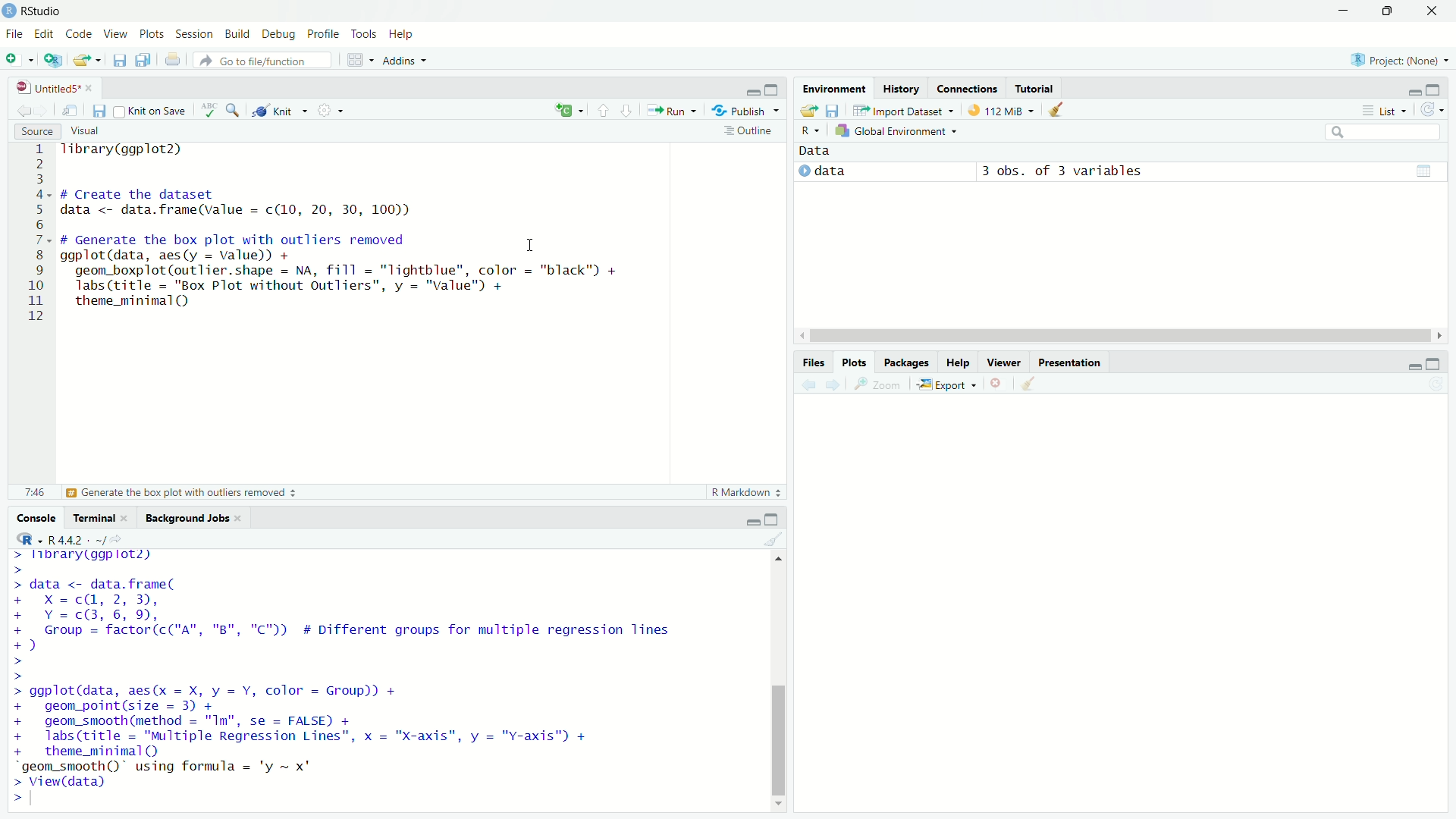 The width and height of the screenshot is (1456, 819). Describe the element at coordinates (839, 388) in the screenshot. I see `next` at that location.